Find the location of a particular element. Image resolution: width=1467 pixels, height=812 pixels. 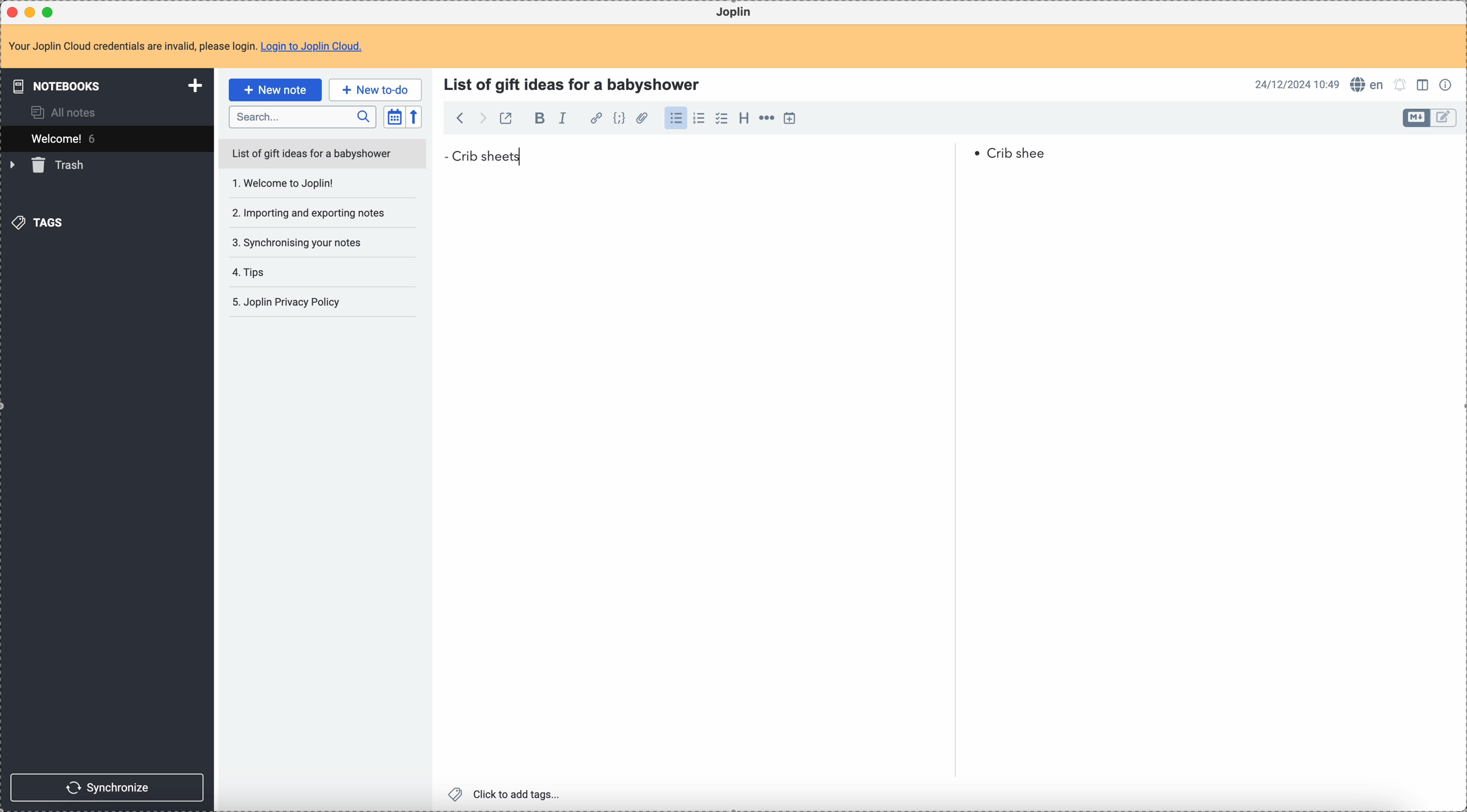

tags is located at coordinates (37, 223).